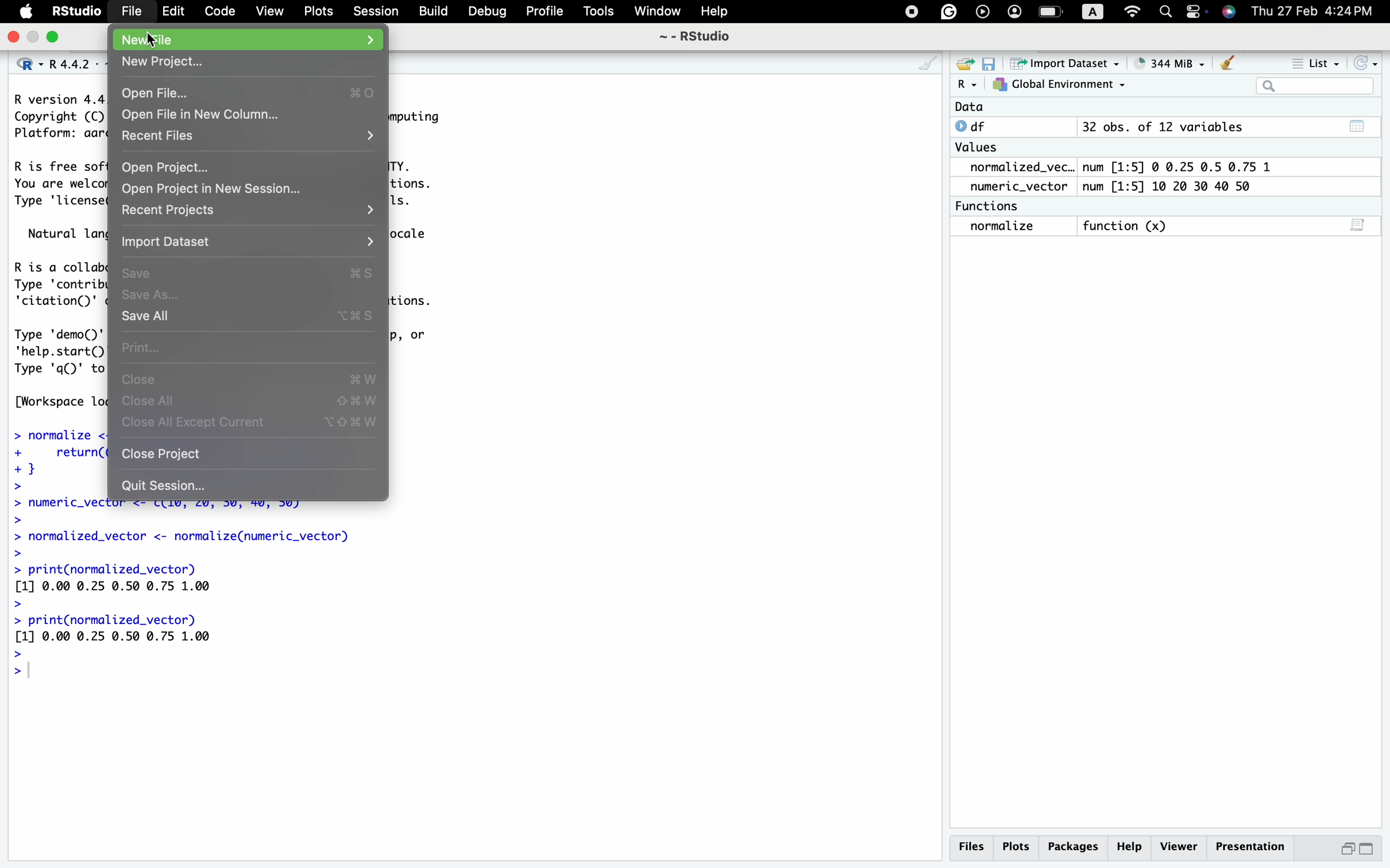  I want to click on Close all except current, so click(198, 422).